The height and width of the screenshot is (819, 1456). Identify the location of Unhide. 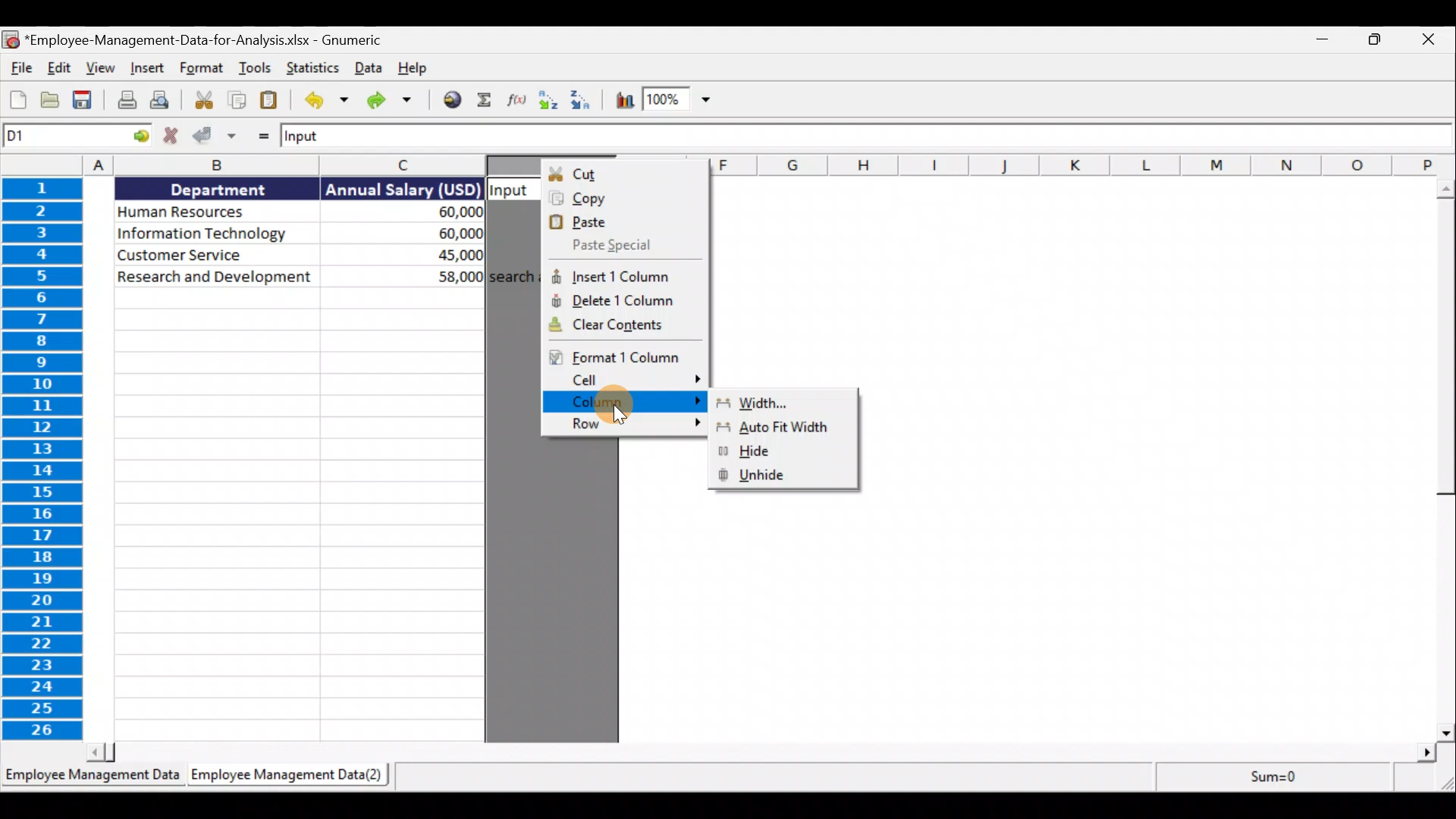
(786, 477).